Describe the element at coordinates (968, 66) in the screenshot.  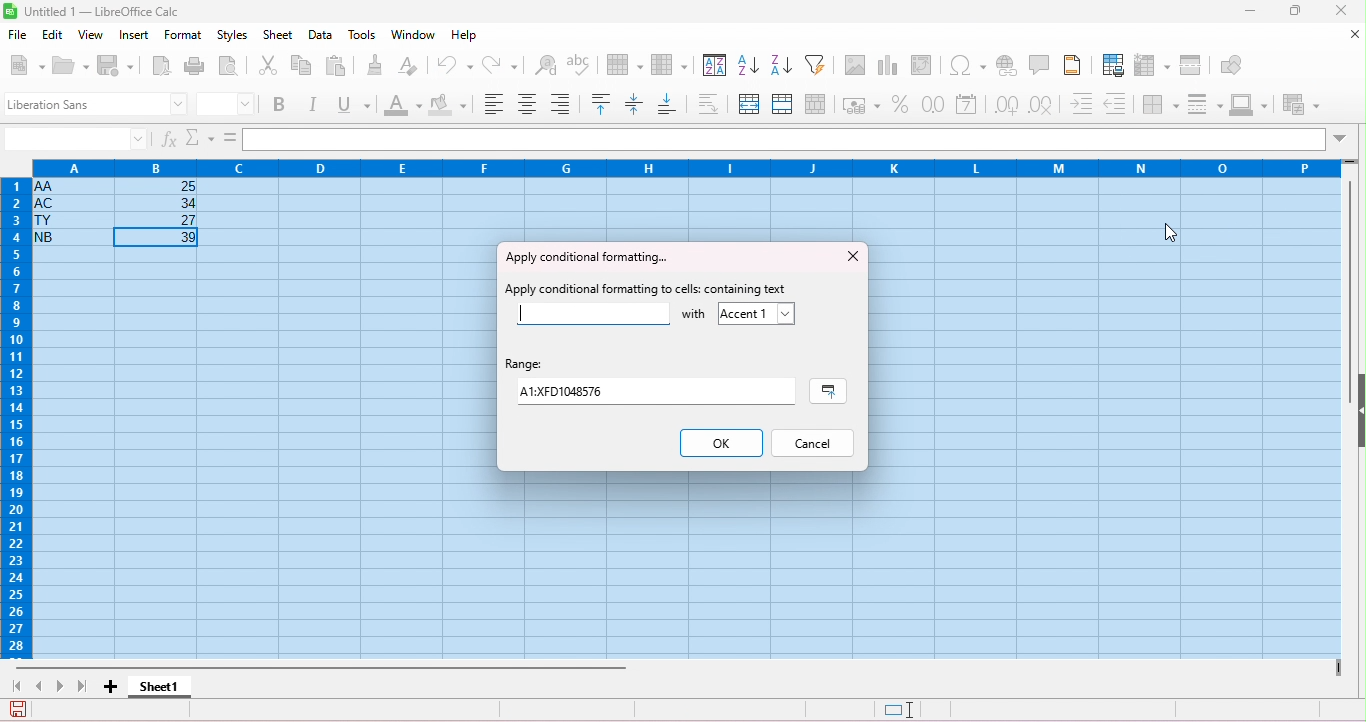
I see `insert special characters` at that location.